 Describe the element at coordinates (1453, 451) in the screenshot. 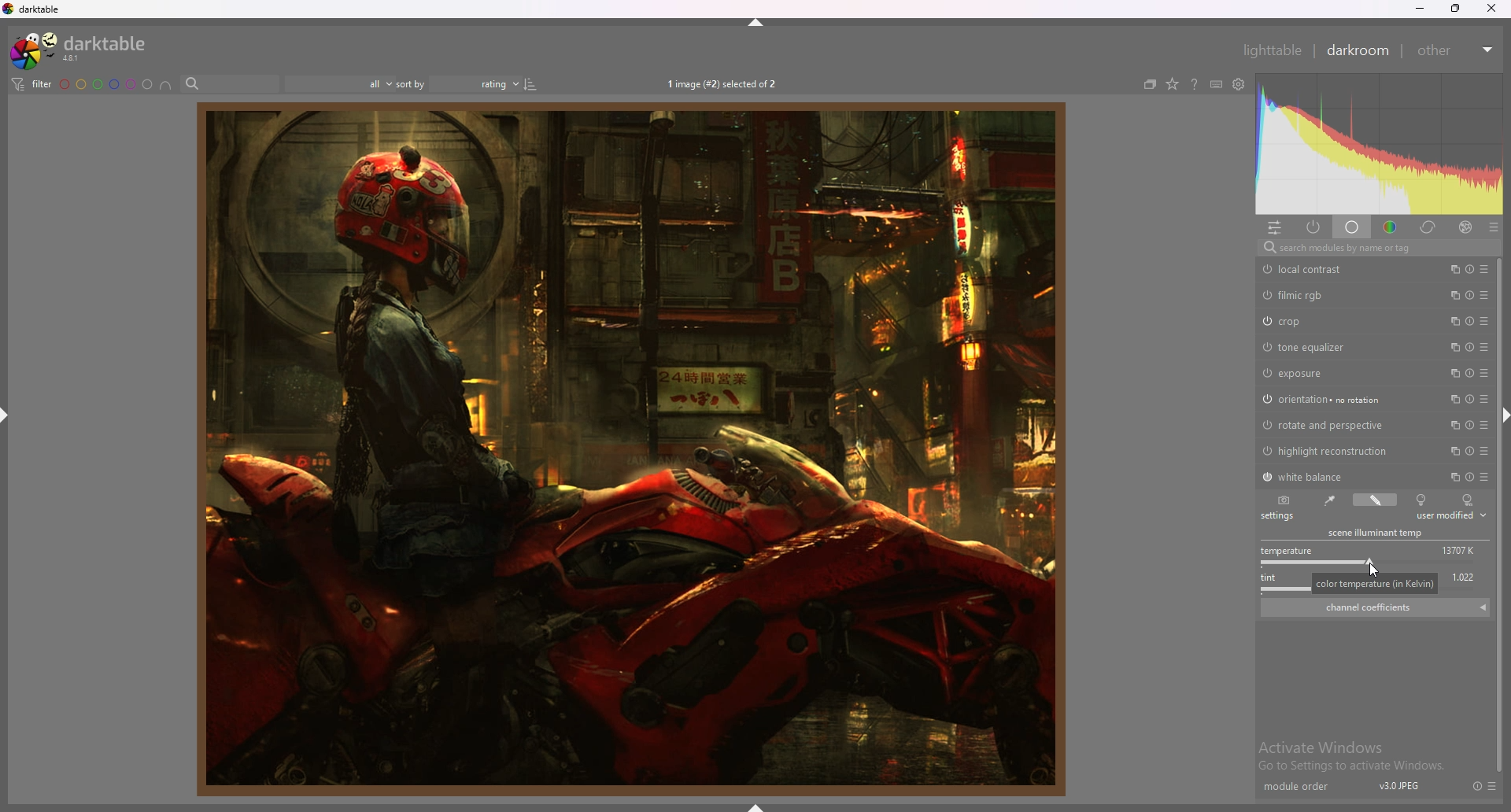

I see `multiple instances action` at that location.